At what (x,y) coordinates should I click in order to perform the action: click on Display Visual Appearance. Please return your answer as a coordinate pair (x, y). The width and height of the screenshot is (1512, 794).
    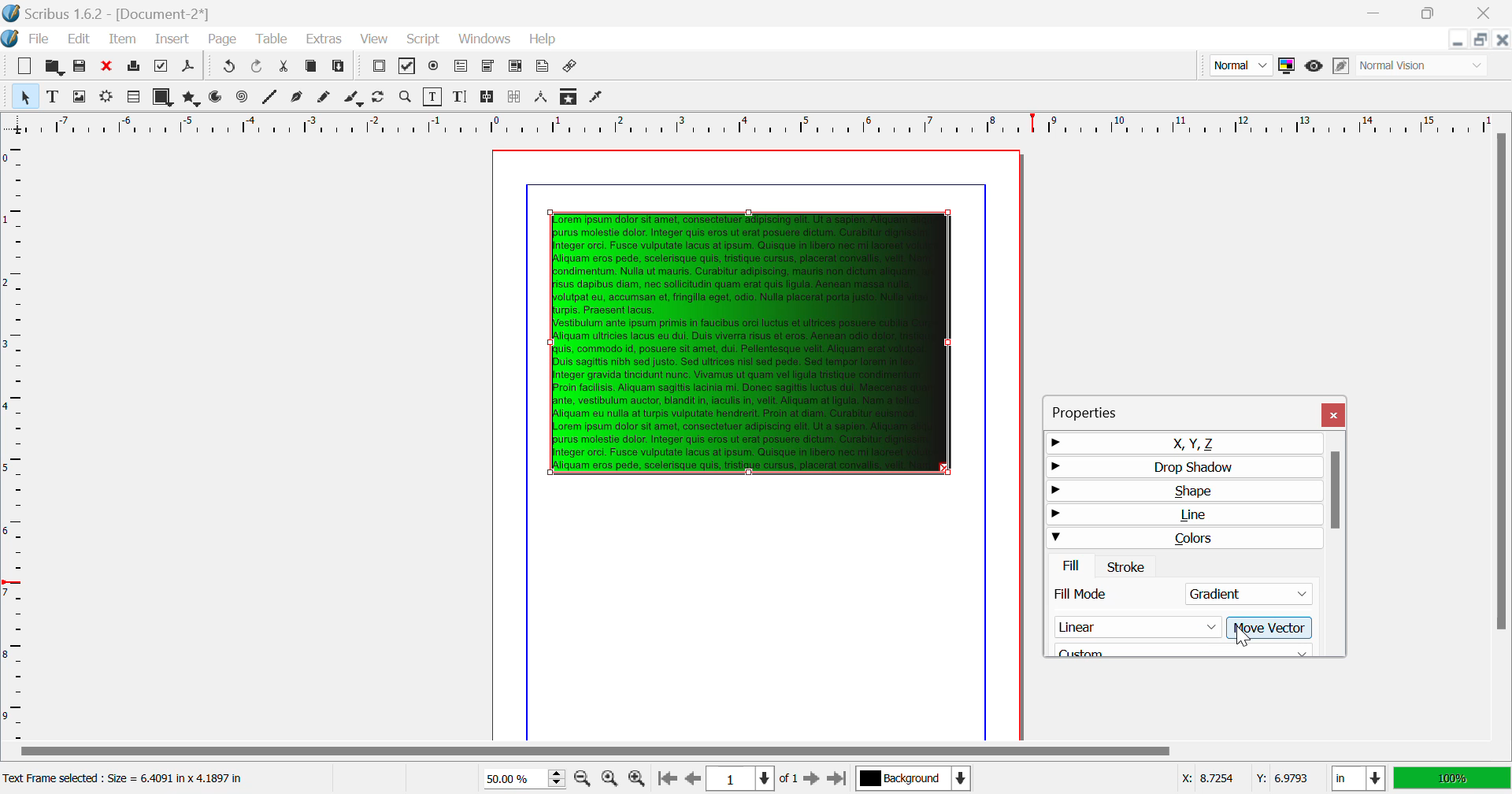
    Looking at the image, I should click on (1424, 65).